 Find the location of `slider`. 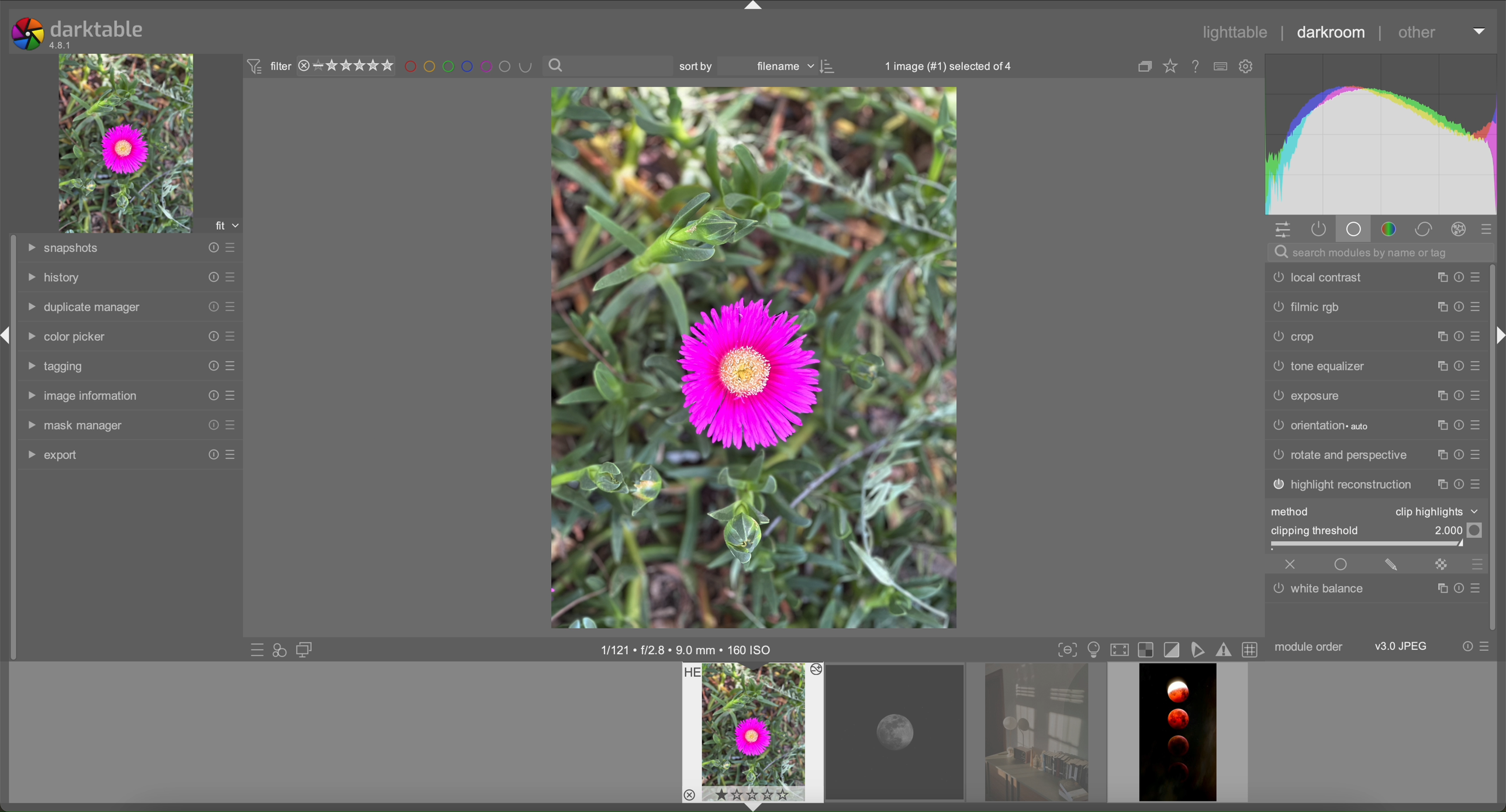

slider is located at coordinates (1379, 545).